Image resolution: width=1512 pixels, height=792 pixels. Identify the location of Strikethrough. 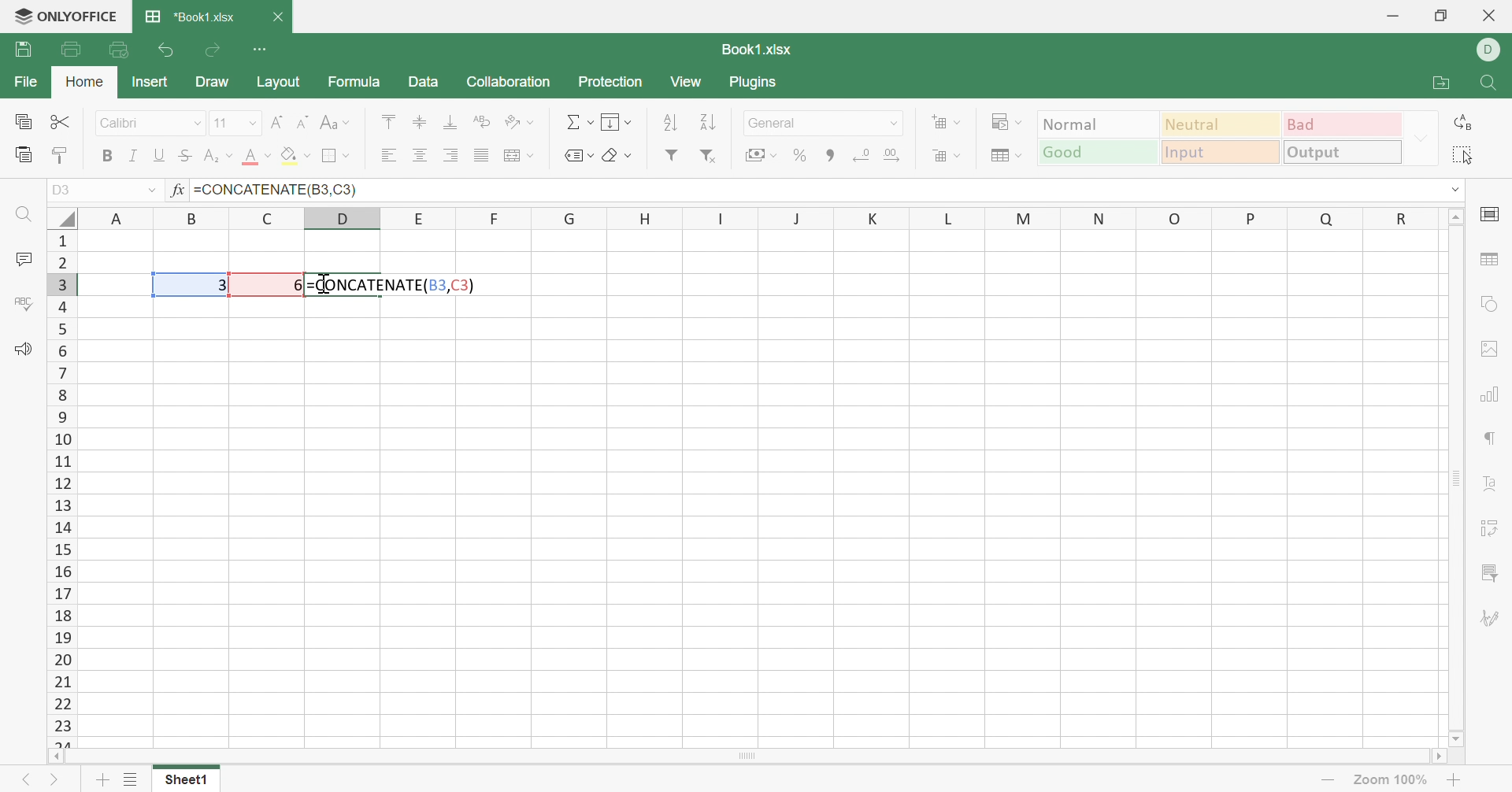
(188, 156).